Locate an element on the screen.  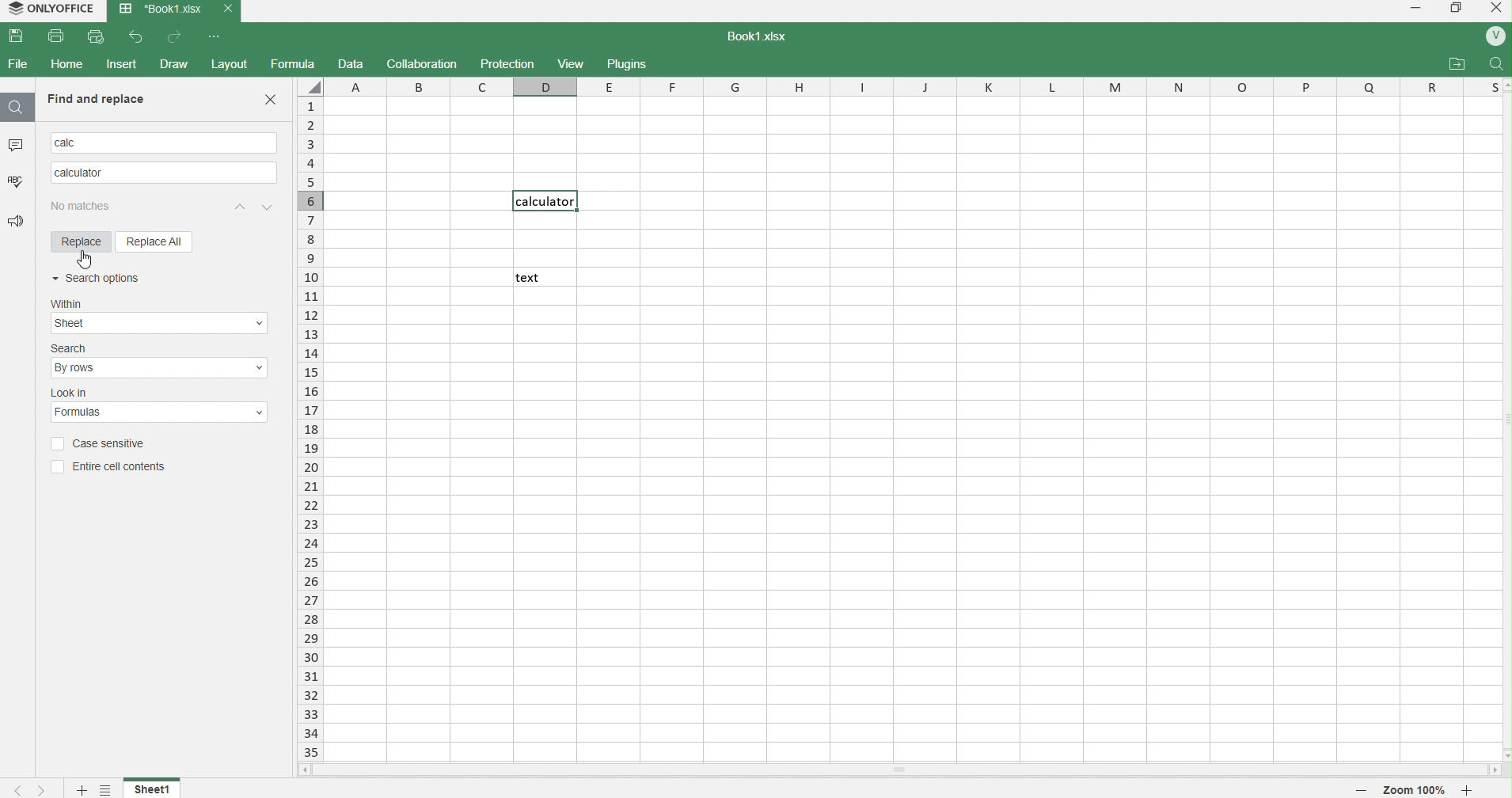
sheet 1 is located at coordinates (153, 786).